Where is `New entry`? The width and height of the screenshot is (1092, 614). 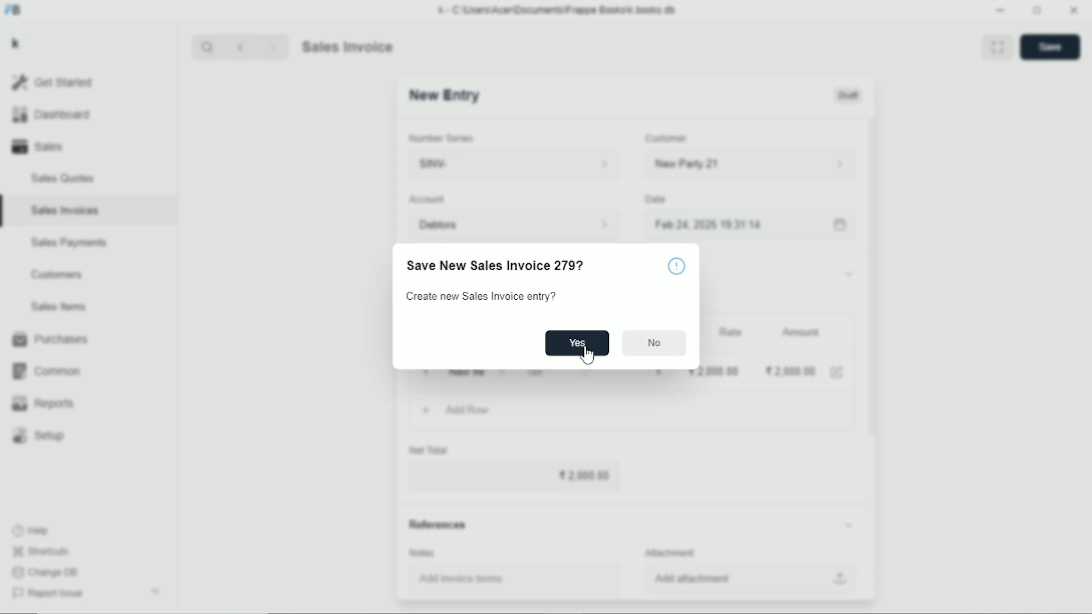
New entry is located at coordinates (445, 96).